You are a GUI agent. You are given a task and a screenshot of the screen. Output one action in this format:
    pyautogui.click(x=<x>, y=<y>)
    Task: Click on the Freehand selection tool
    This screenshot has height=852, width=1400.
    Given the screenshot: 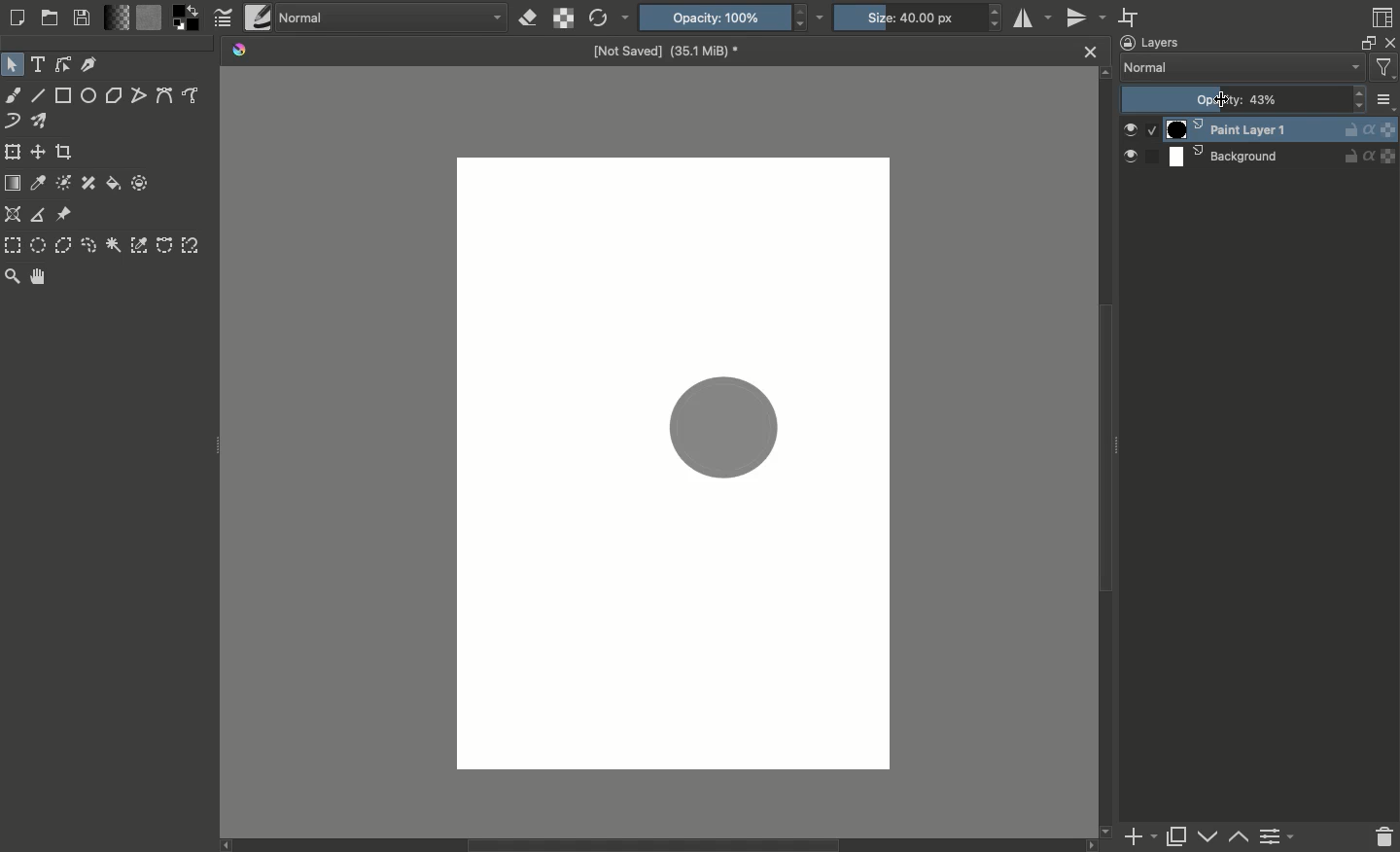 What is the action you would take?
    pyautogui.click(x=88, y=245)
    